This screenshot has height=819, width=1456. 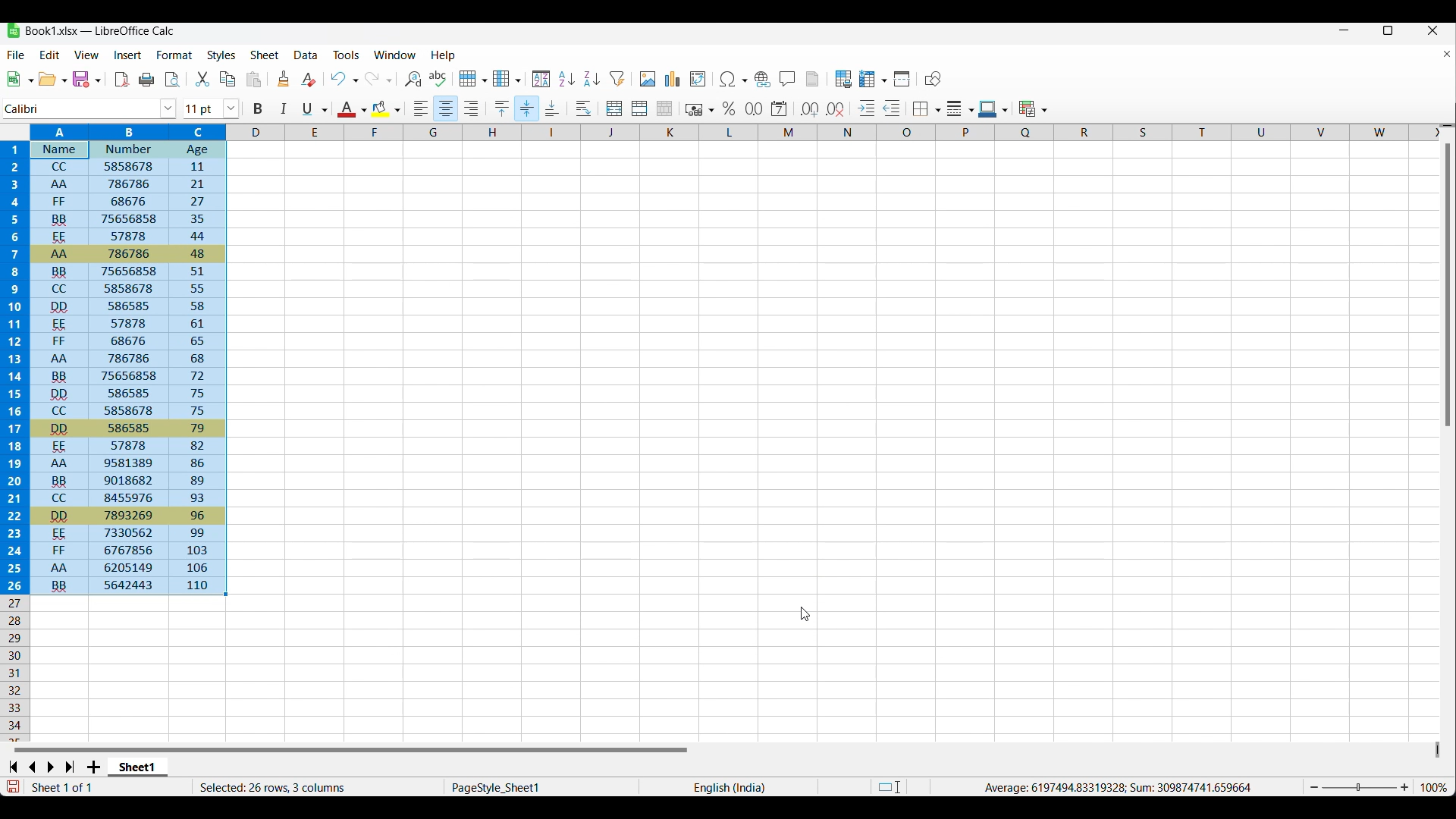 I want to click on vertical scroll bar, so click(x=1447, y=288).